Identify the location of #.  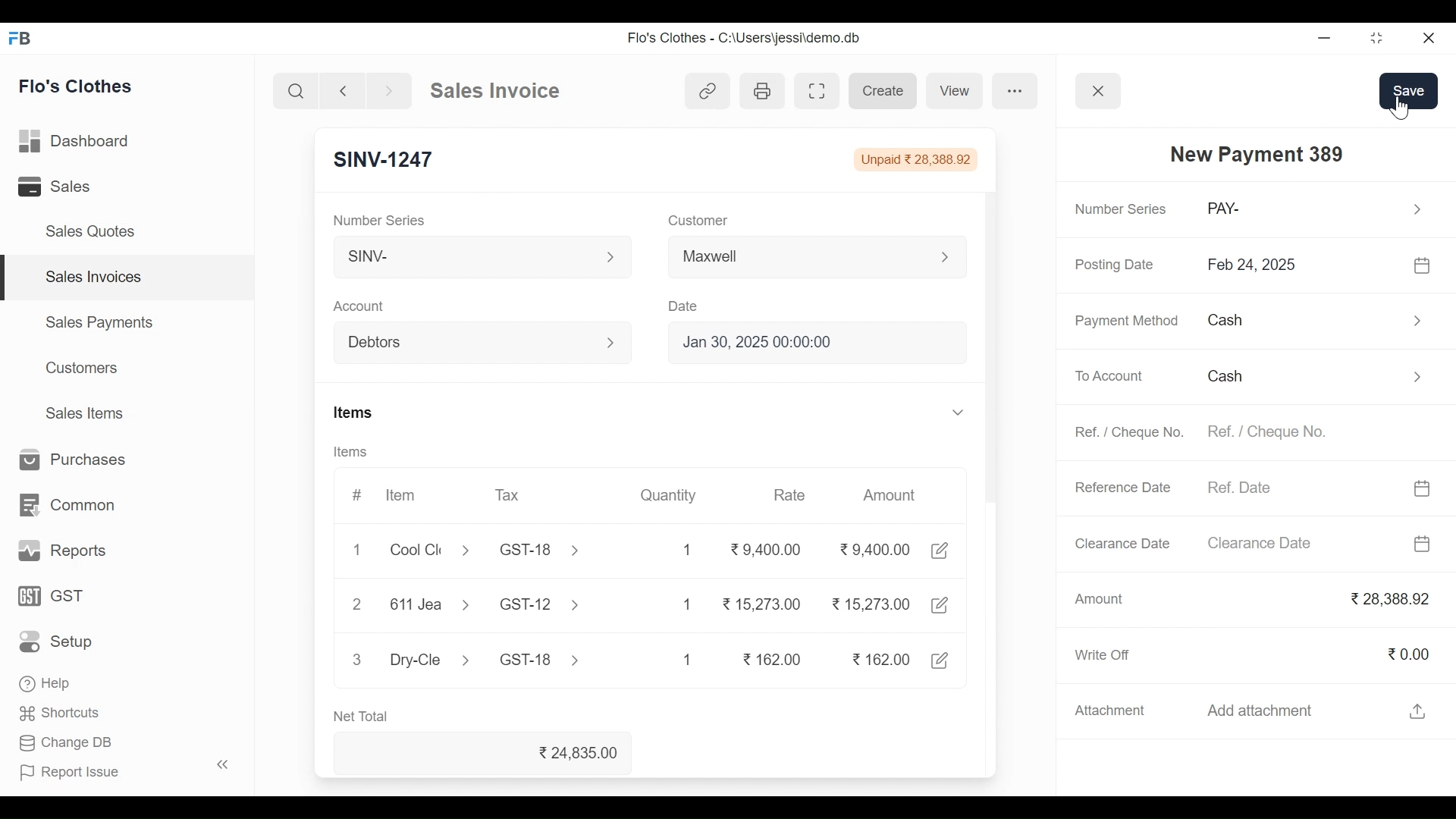
(353, 496).